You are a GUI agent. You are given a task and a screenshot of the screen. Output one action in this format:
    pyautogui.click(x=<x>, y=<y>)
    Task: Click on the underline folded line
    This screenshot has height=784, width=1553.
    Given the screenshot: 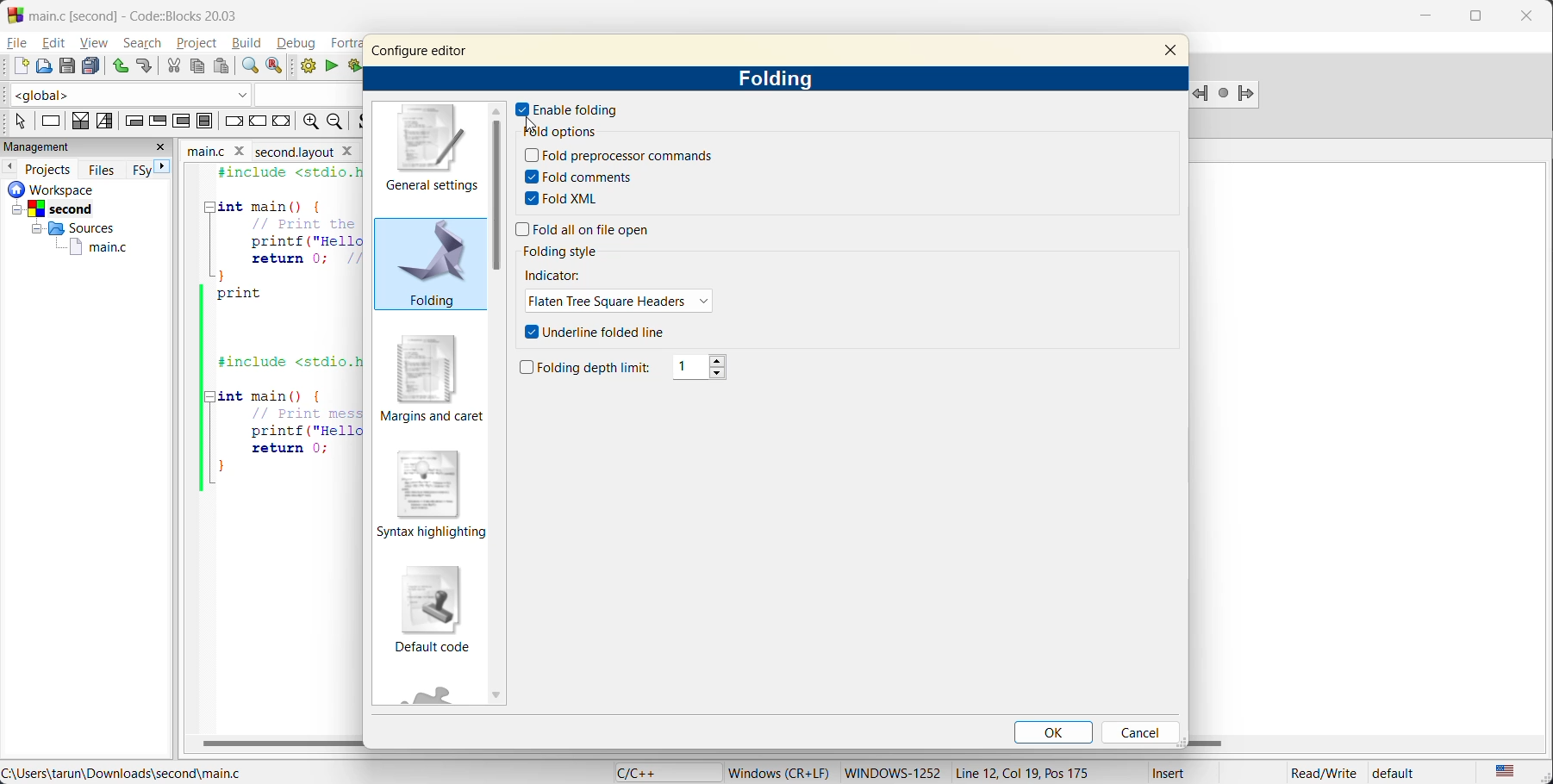 What is the action you would take?
    pyautogui.click(x=605, y=332)
    